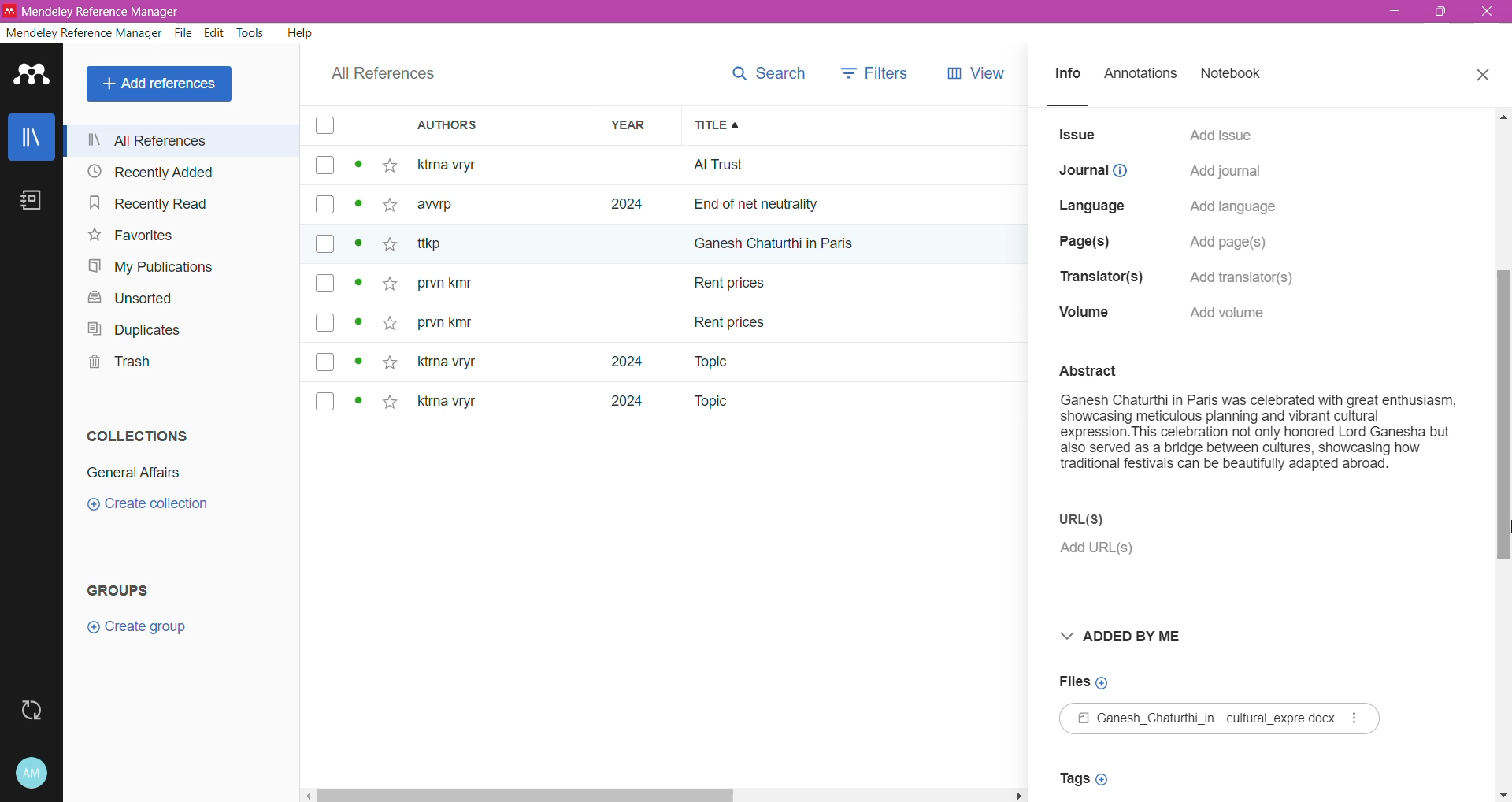 This screenshot has height=802, width=1512. Describe the element at coordinates (1233, 313) in the screenshot. I see `Click to add volume` at that location.